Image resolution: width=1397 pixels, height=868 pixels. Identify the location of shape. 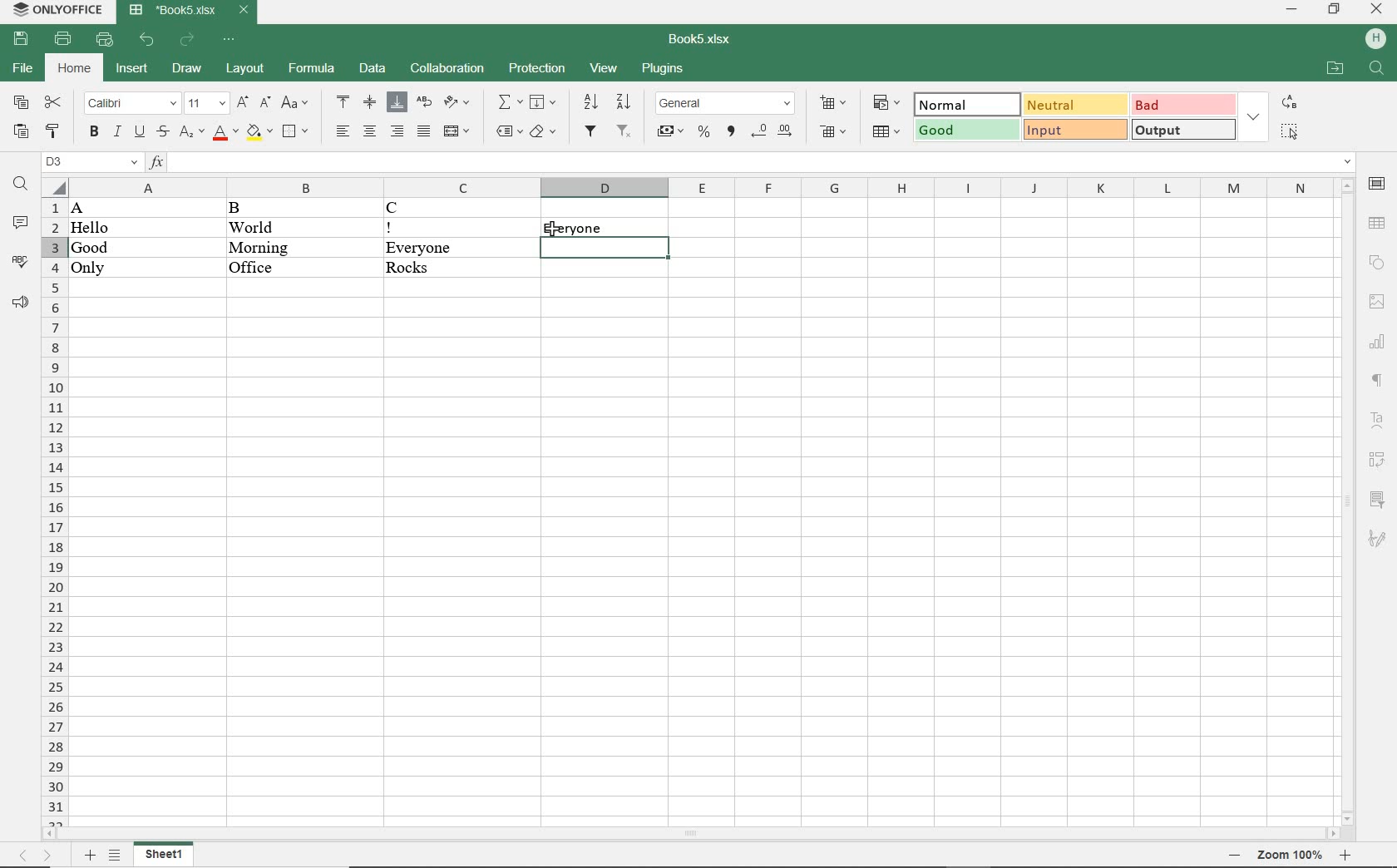
(1377, 262).